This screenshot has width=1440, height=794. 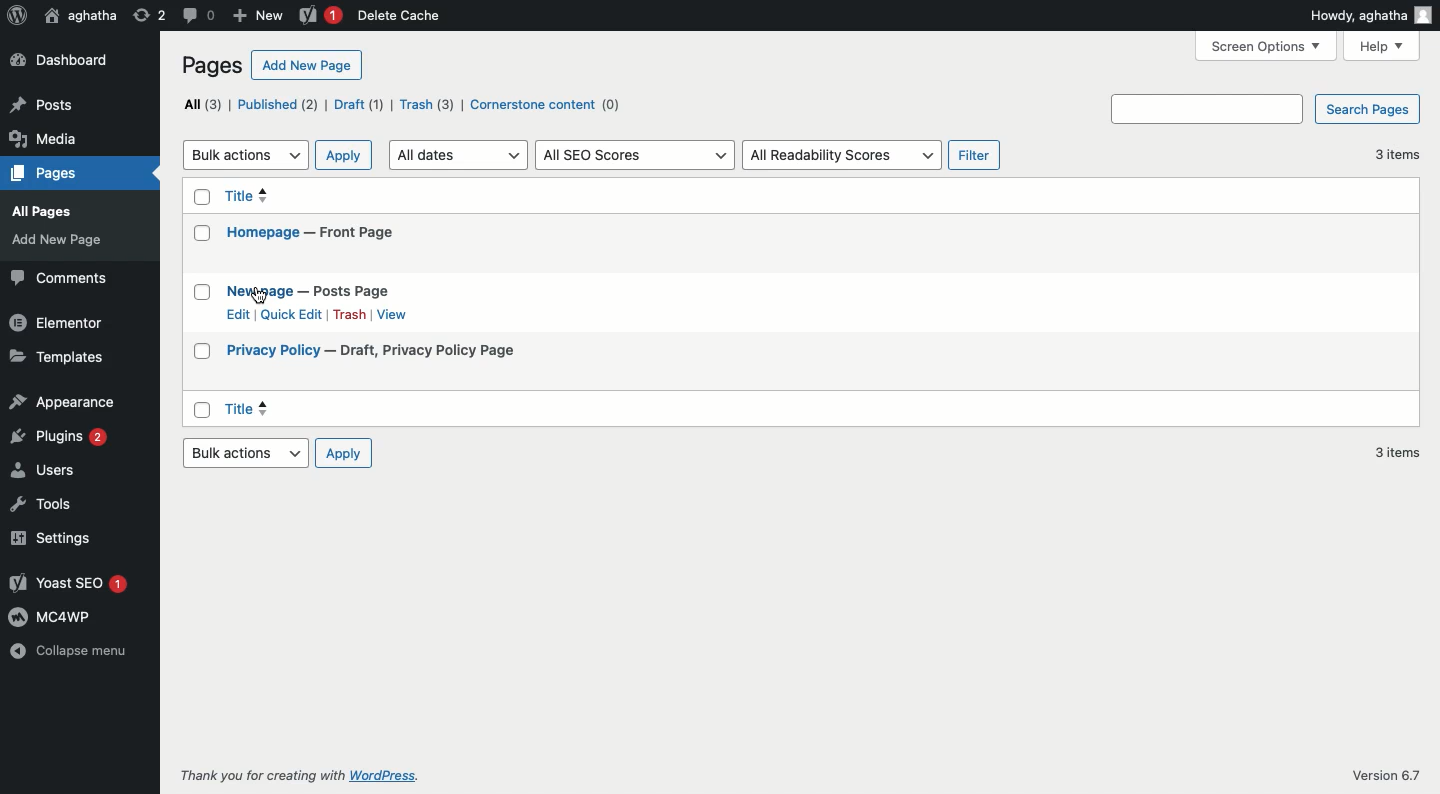 What do you see at coordinates (359, 104) in the screenshot?
I see `Draft` at bounding box center [359, 104].